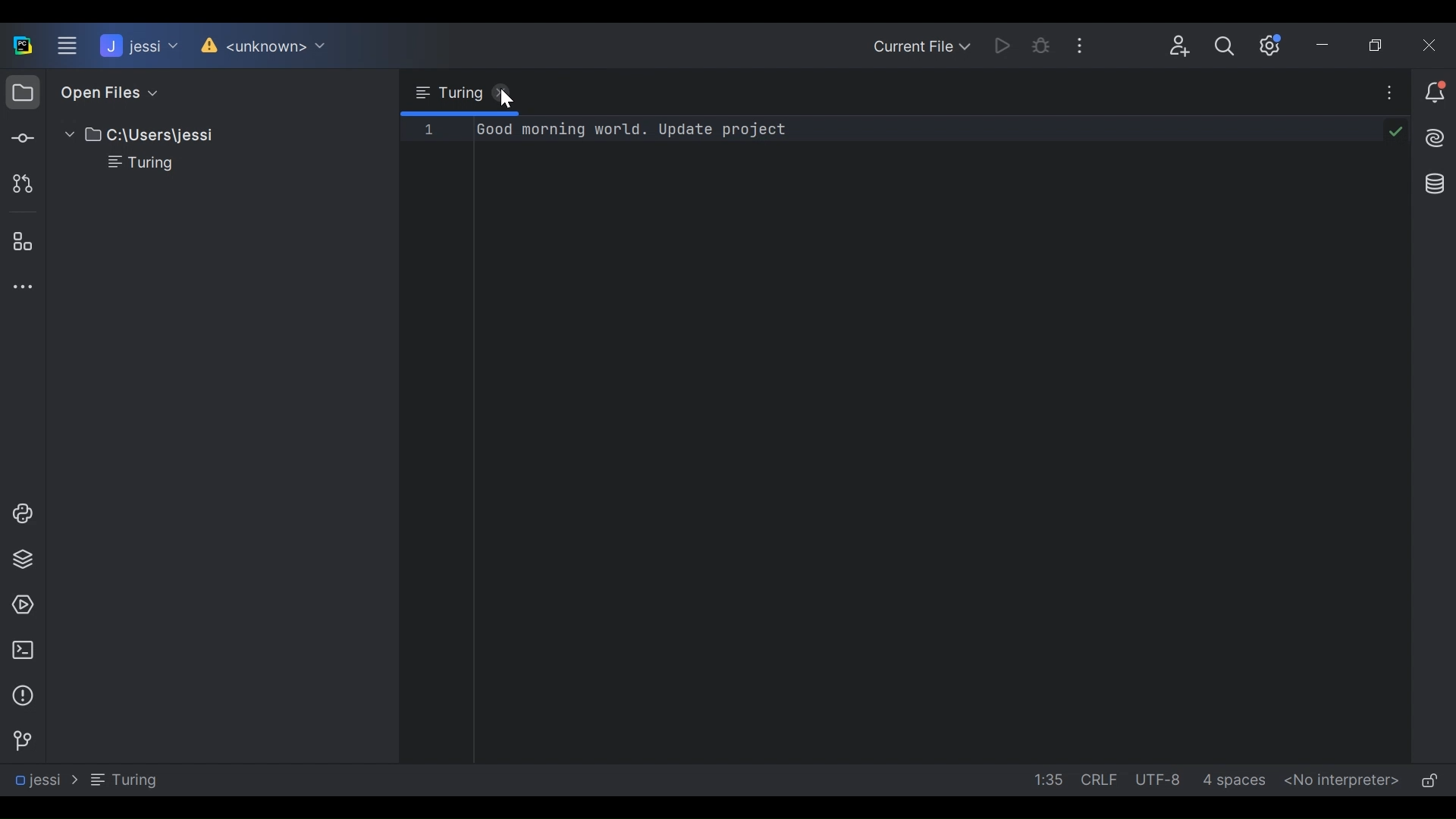  Describe the element at coordinates (923, 45) in the screenshot. I see `Current File` at that location.